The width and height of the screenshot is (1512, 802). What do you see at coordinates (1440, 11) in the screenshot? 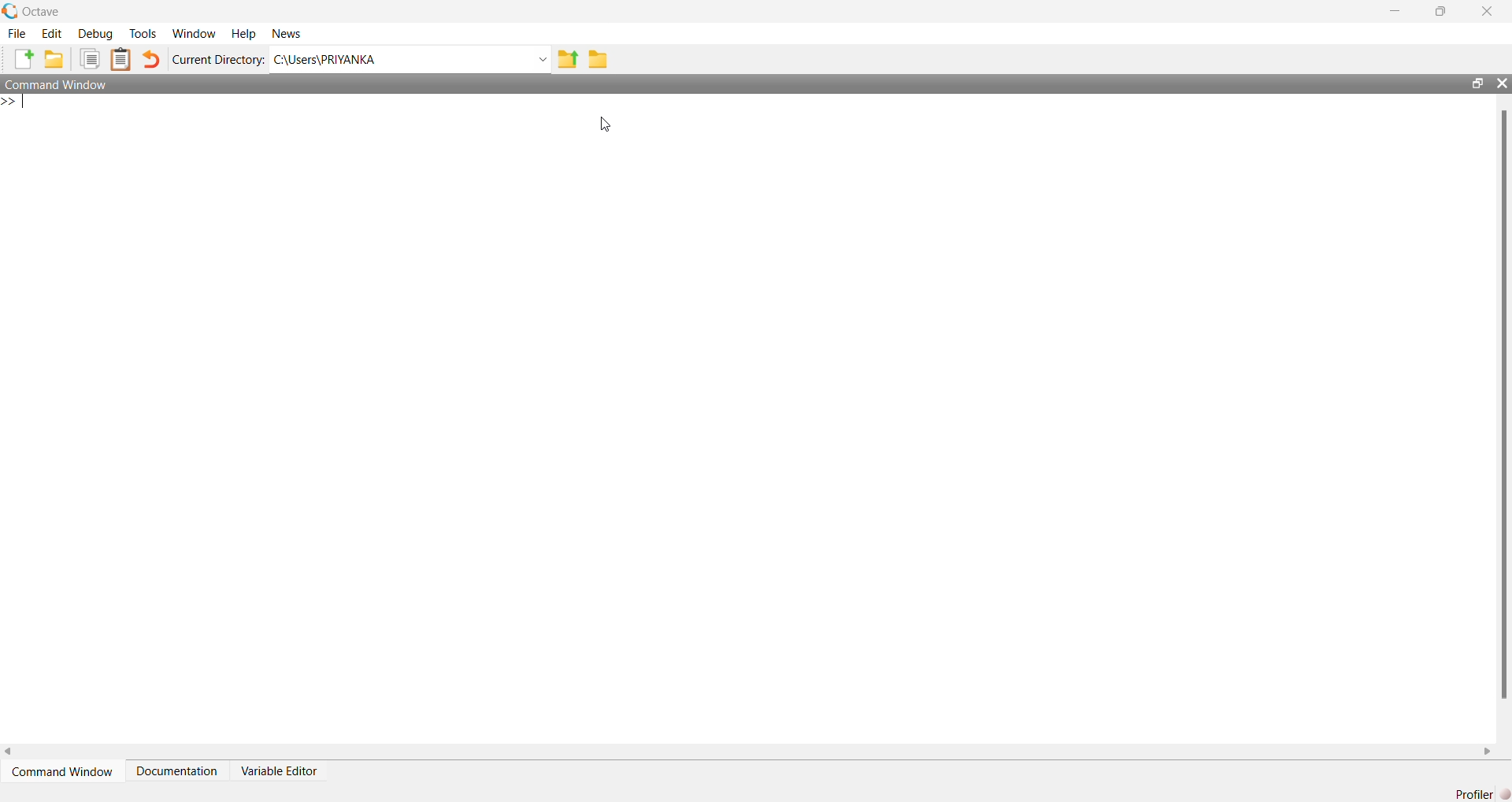
I see `resize` at bounding box center [1440, 11].